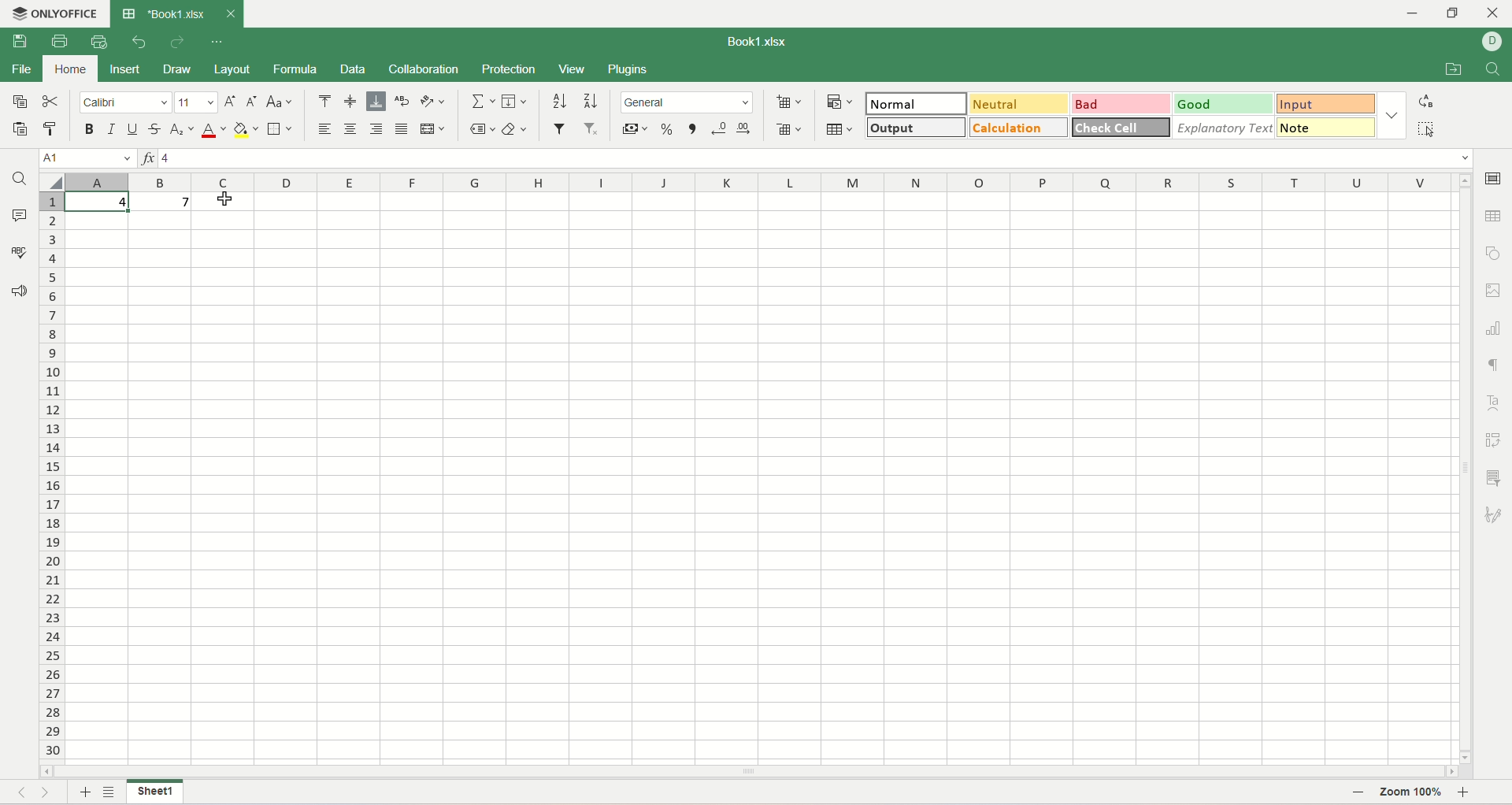  Describe the element at coordinates (328, 128) in the screenshot. I see `align left` at that location.